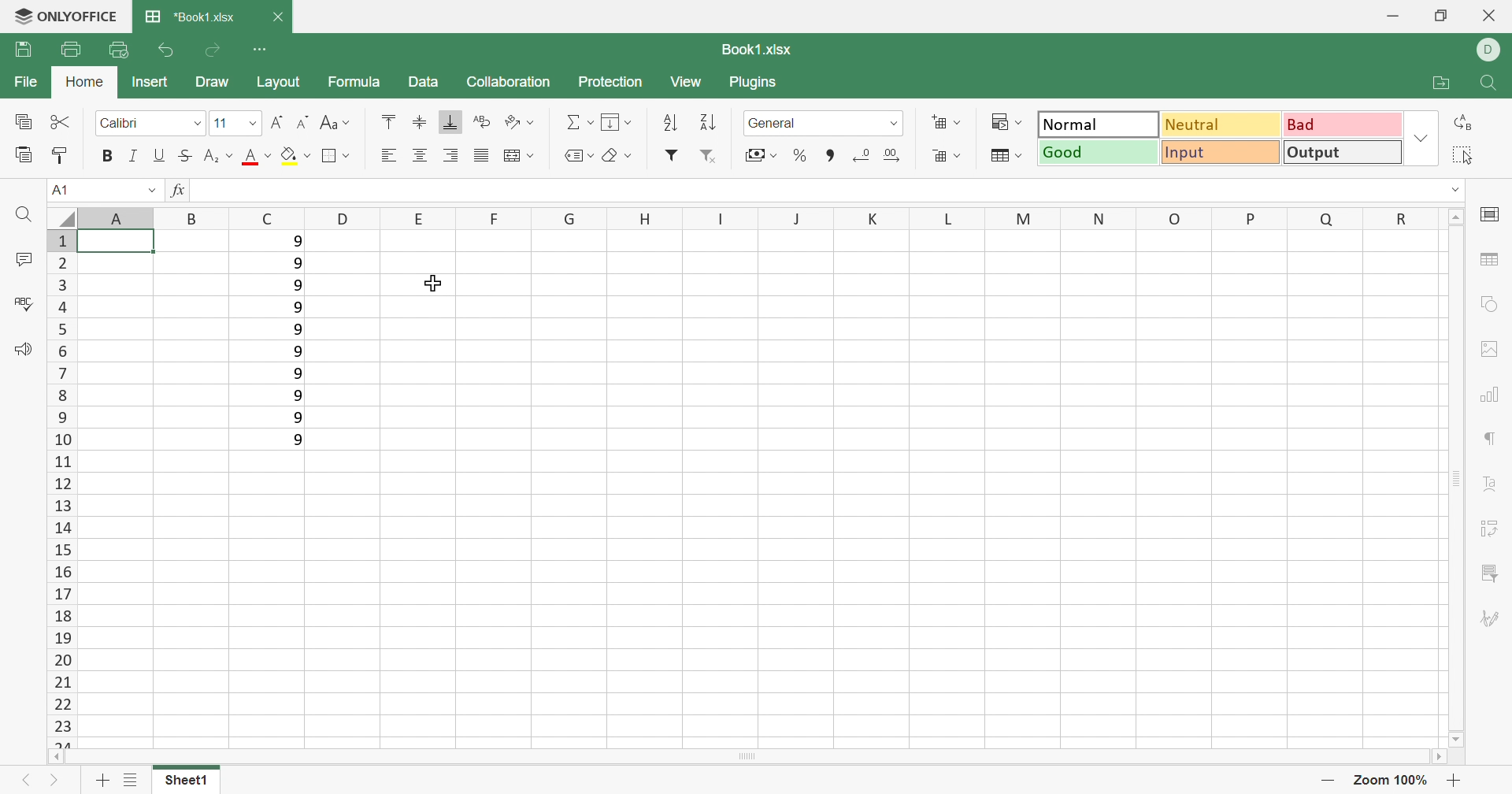  Describe the element at coordinates (297, 305) in the screenshot. I see `9` at that location.